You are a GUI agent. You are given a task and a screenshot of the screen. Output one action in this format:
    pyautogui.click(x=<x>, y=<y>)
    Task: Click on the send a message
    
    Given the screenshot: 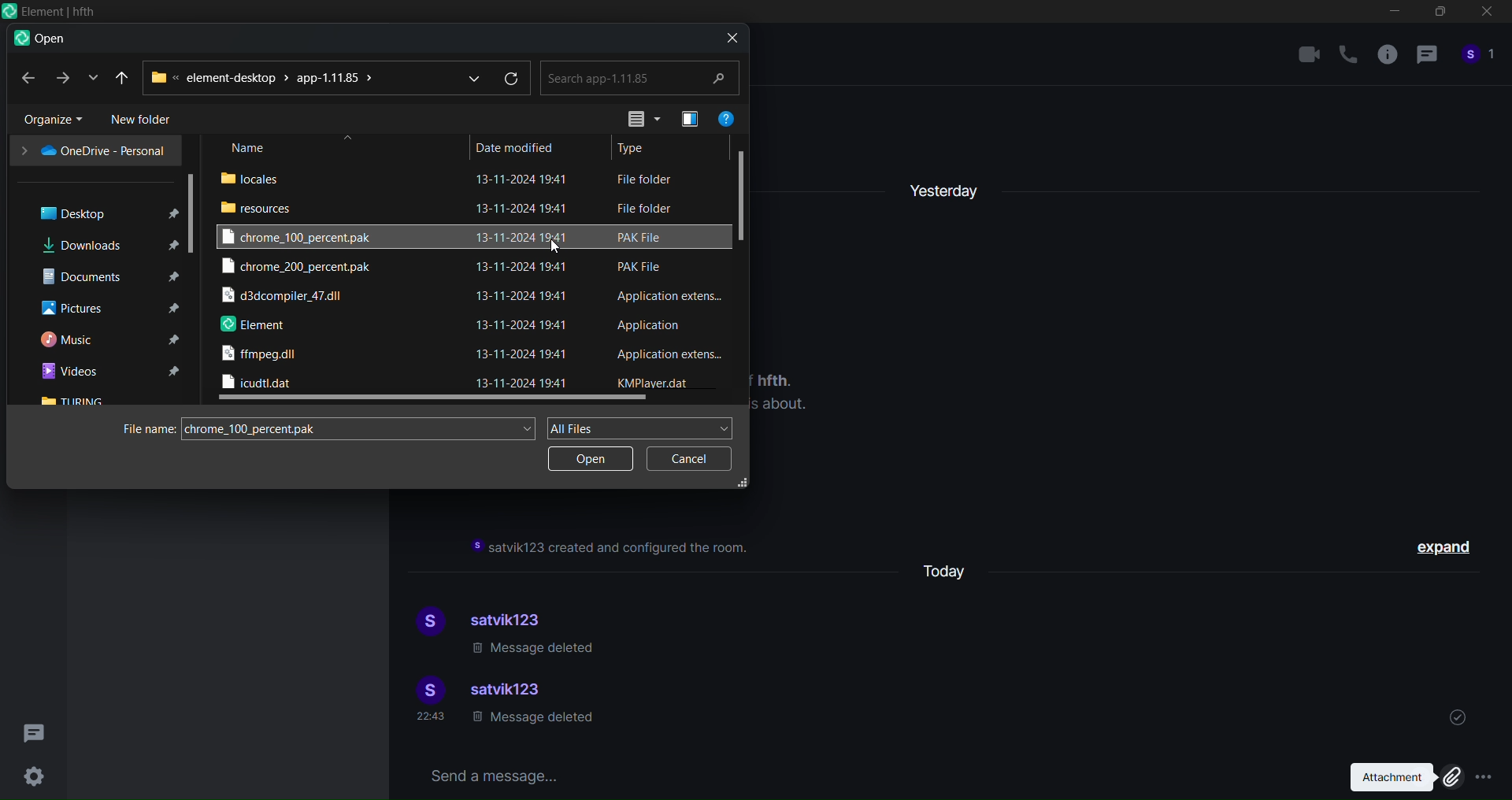 What is the action you would take?
    pyautogui.click(x=862, y=774)
    